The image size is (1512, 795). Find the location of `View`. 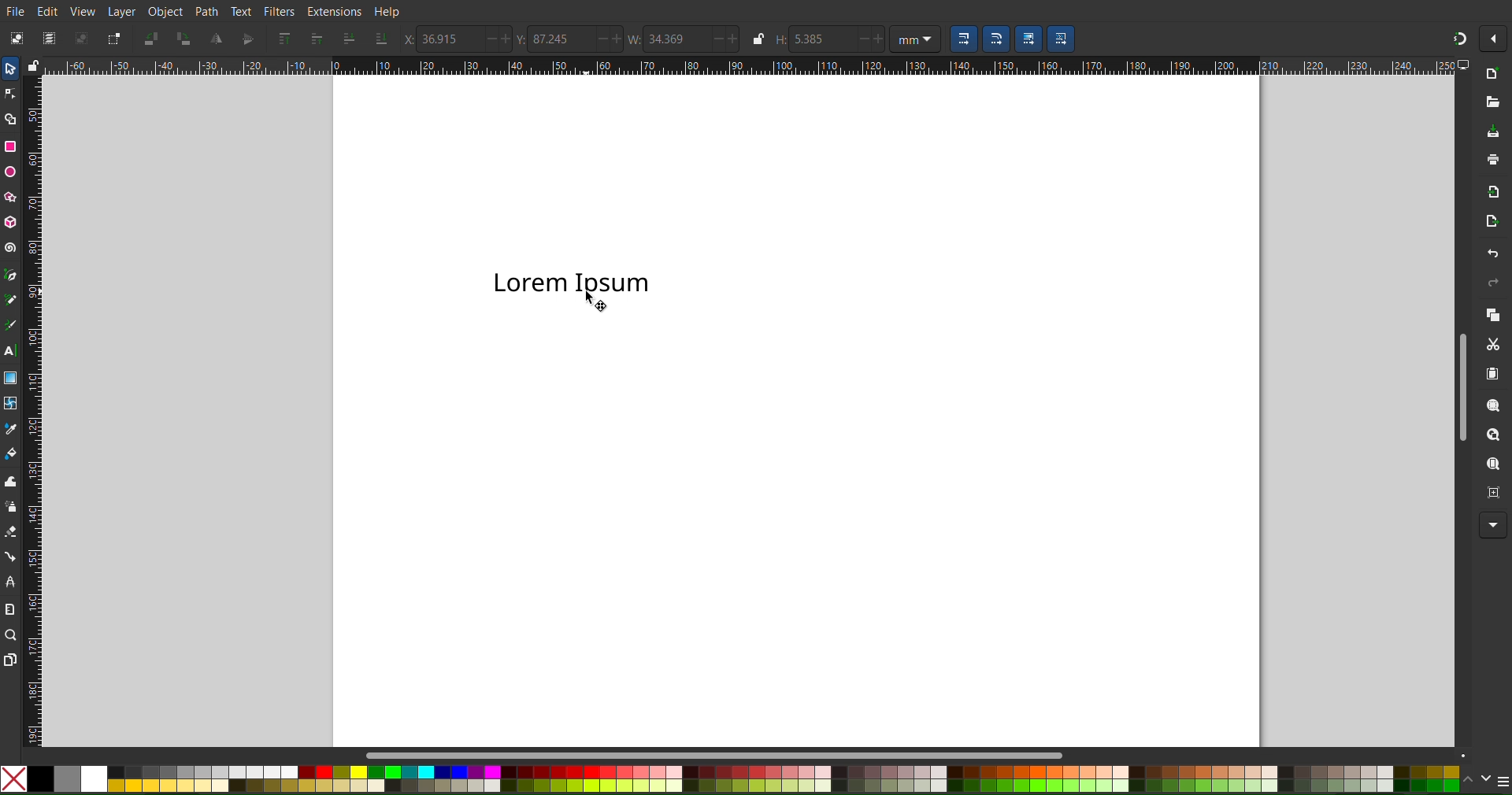

View is located at coordinates (83, 11).